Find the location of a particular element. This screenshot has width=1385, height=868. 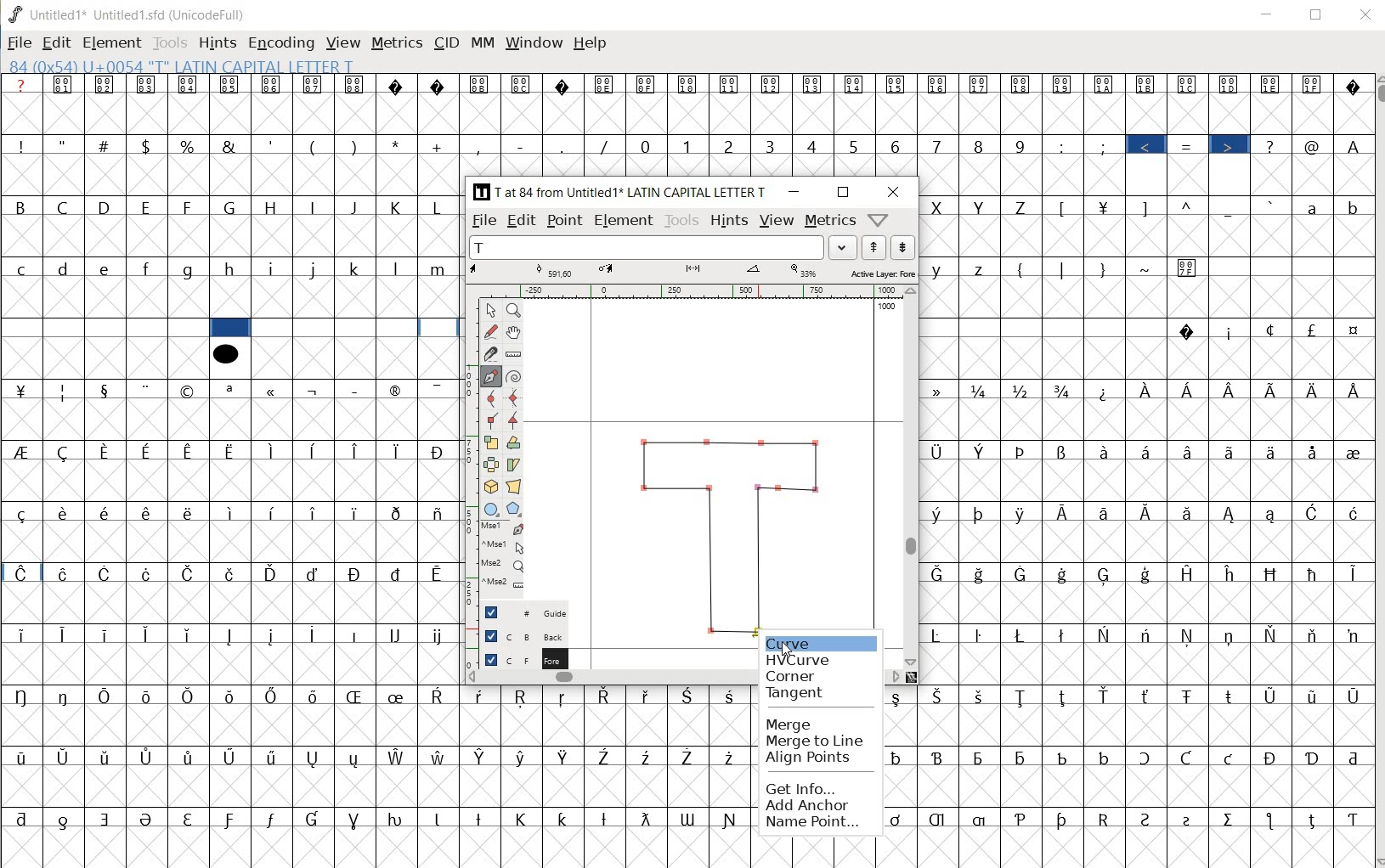

scale is located at coordinates (492, 440).